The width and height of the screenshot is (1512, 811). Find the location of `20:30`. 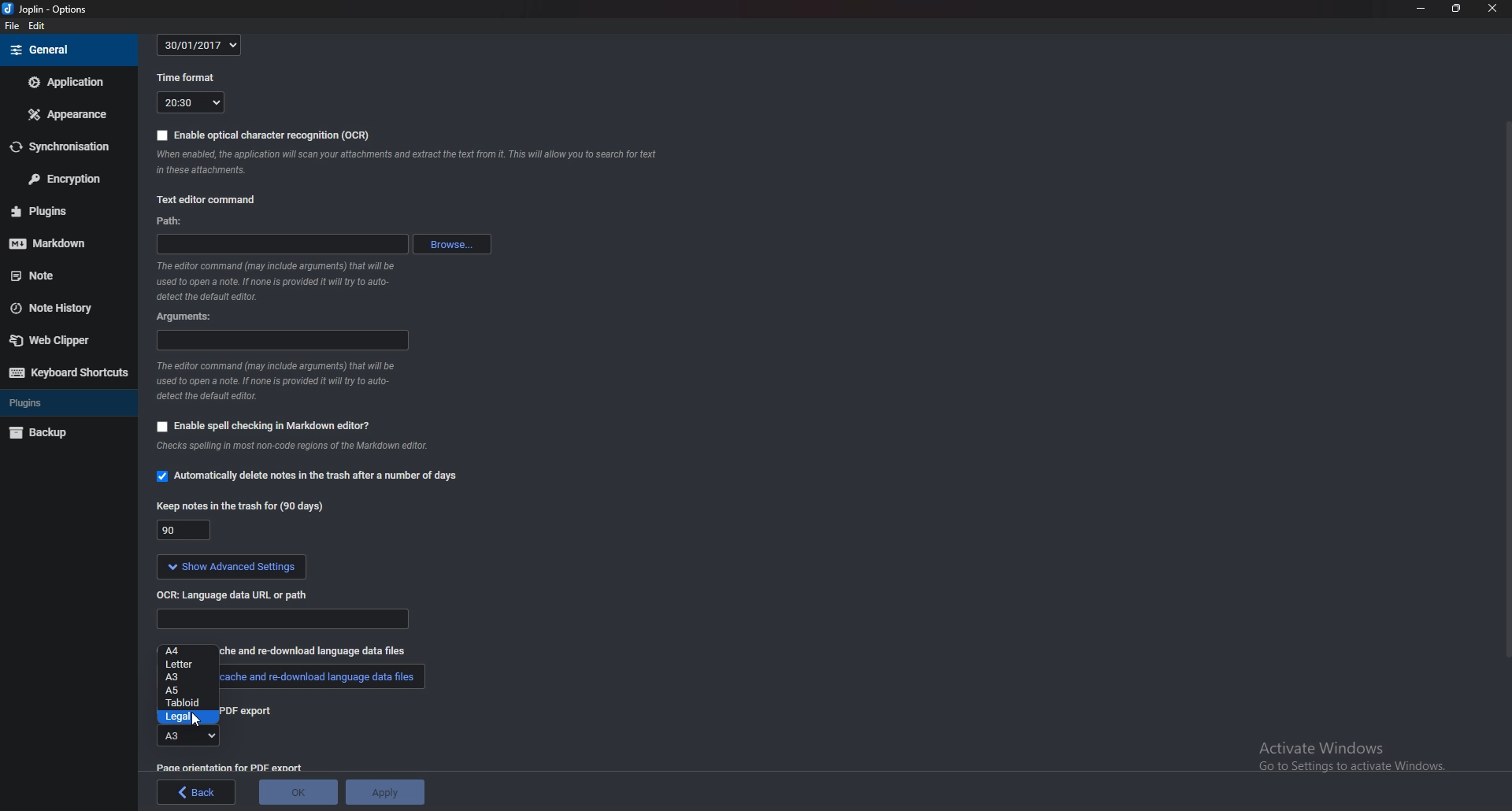

20:30 is located at coordinates (190, 102).